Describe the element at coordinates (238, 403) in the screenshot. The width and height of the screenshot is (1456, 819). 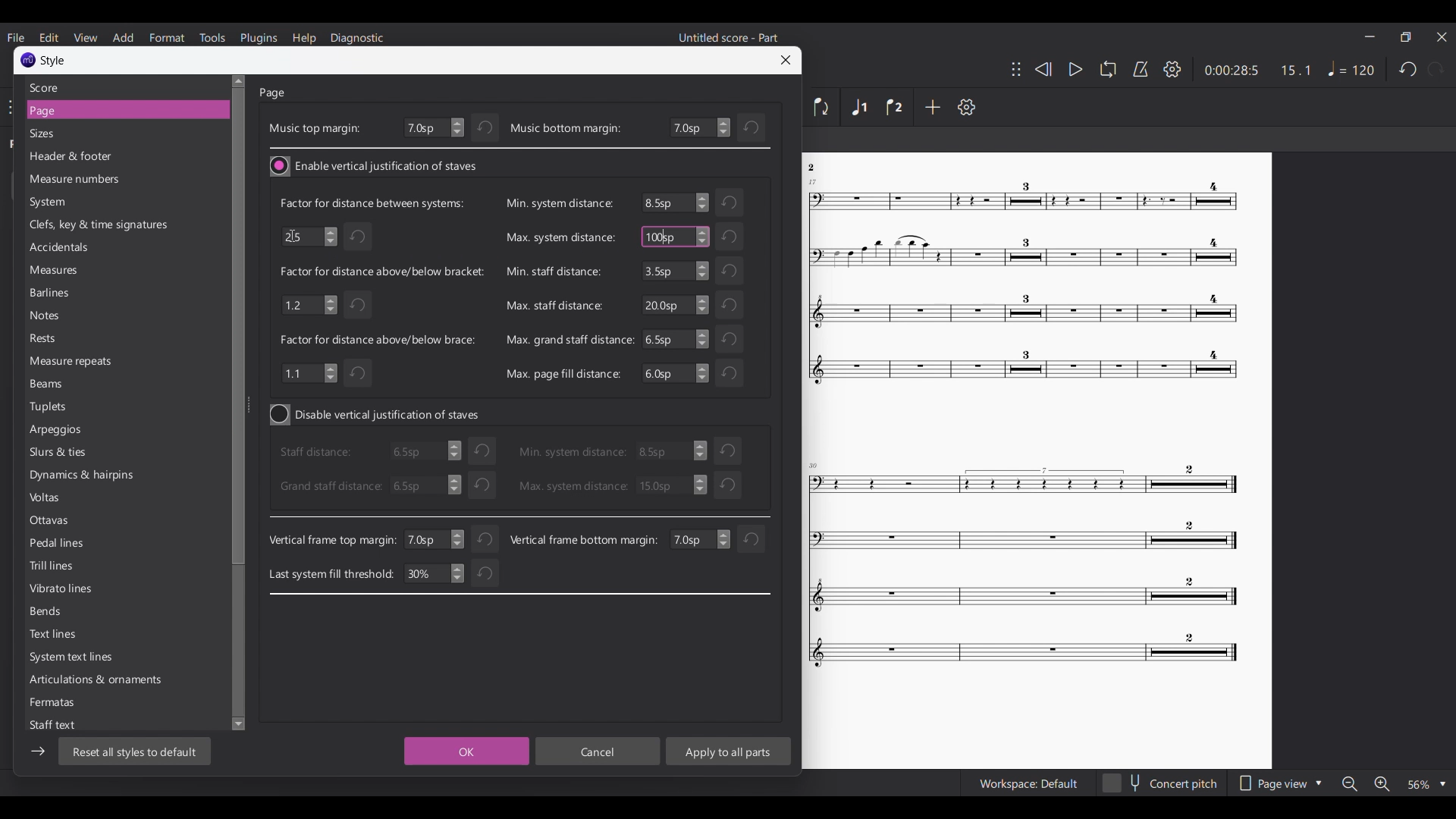
I see `Vertical slide bar` at that location.